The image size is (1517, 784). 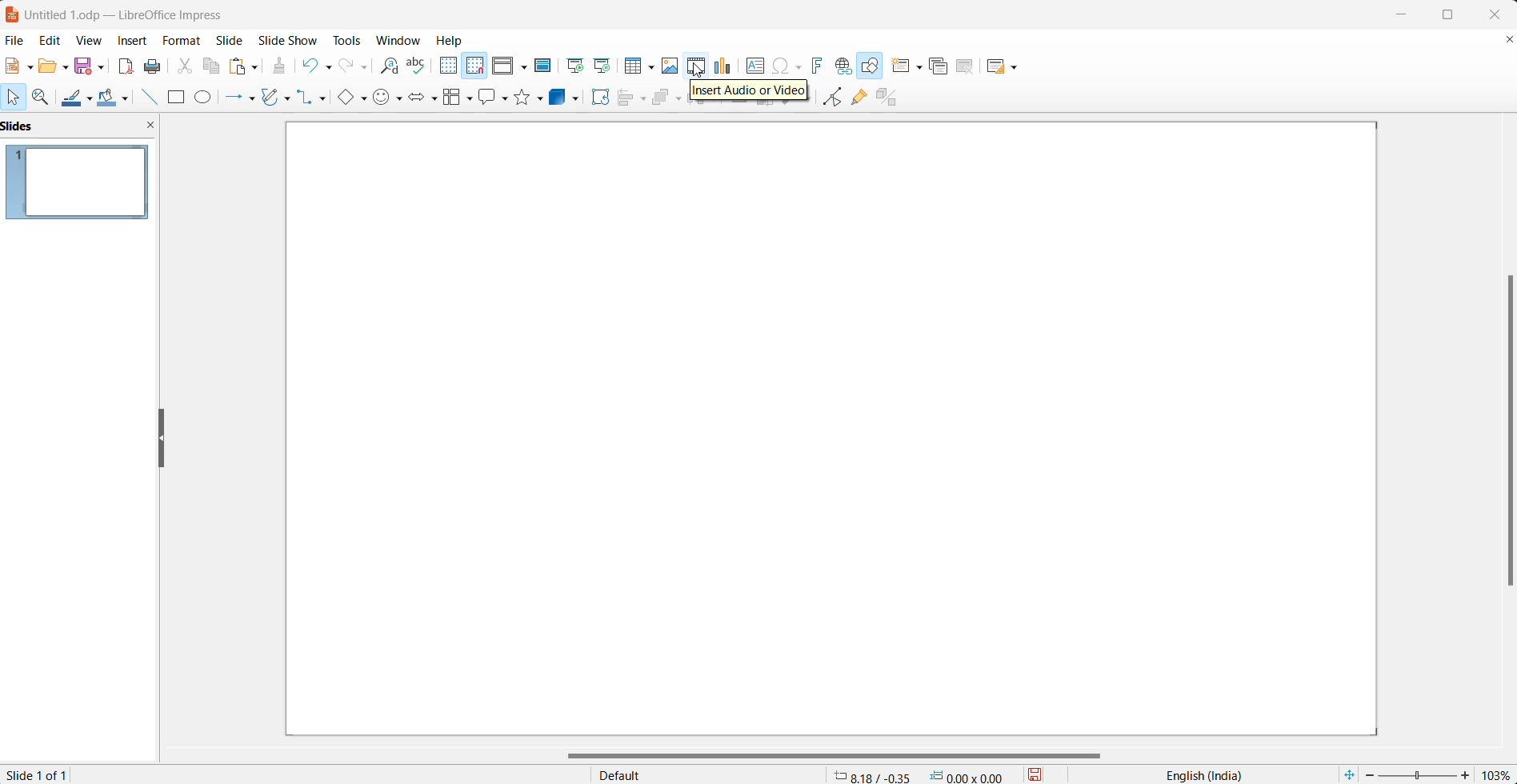 What do you see at coordinates (362, 100) in the screenshot?
I see `basic shapes options` at bounding box center [362, 100].